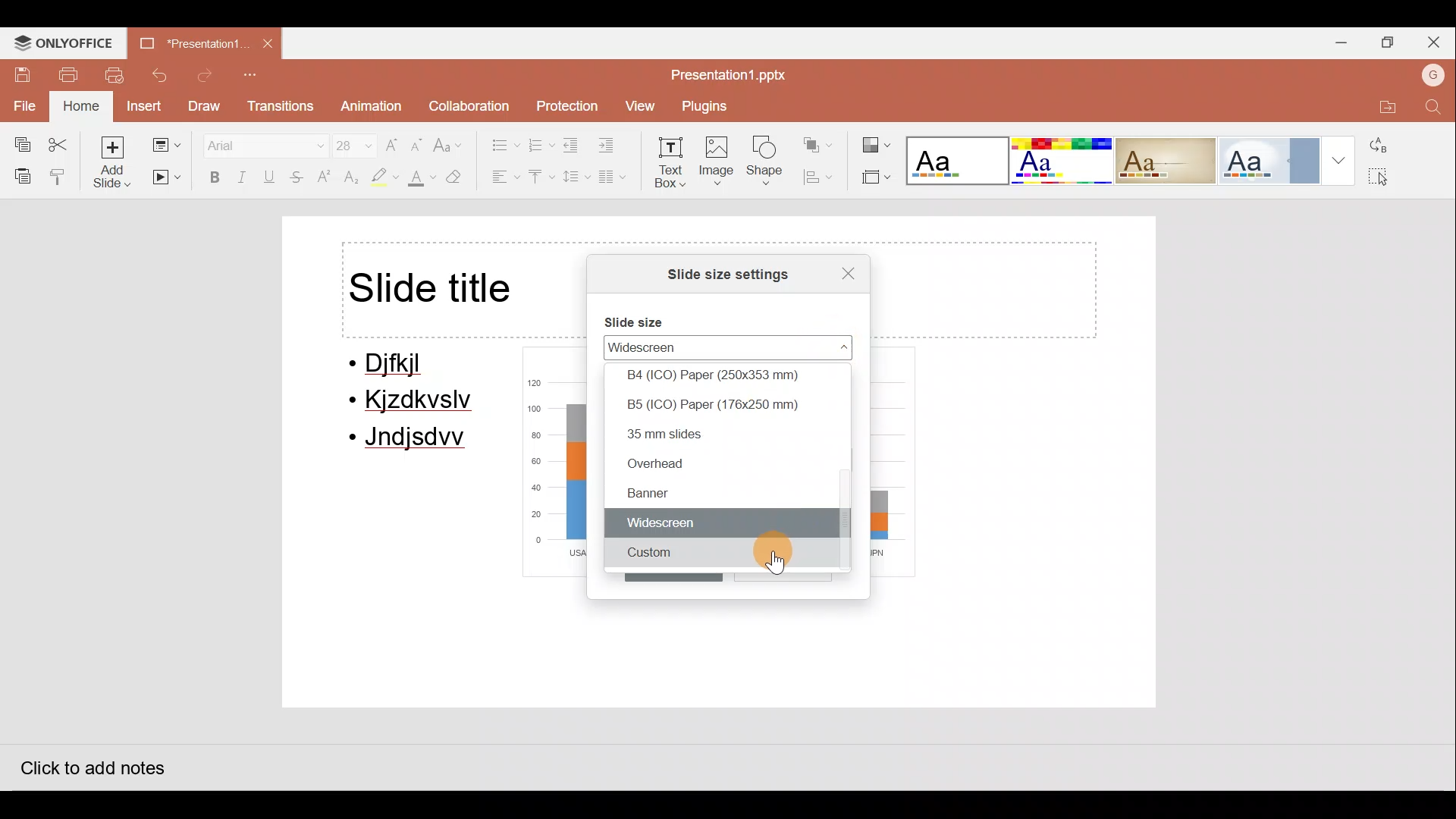 This screenshot has height=819, width=1456. What do you see at coordinates (724, 557) in the screenshot?
I see `Custom` at bounding box center [724, 557].